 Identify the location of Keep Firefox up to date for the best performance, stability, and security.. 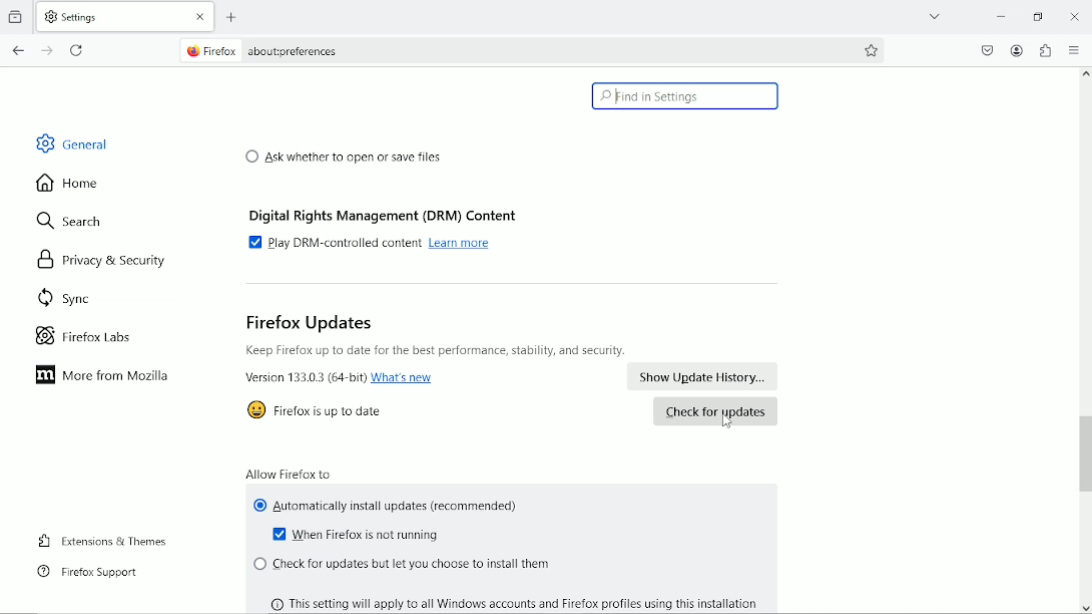
(437, 351).